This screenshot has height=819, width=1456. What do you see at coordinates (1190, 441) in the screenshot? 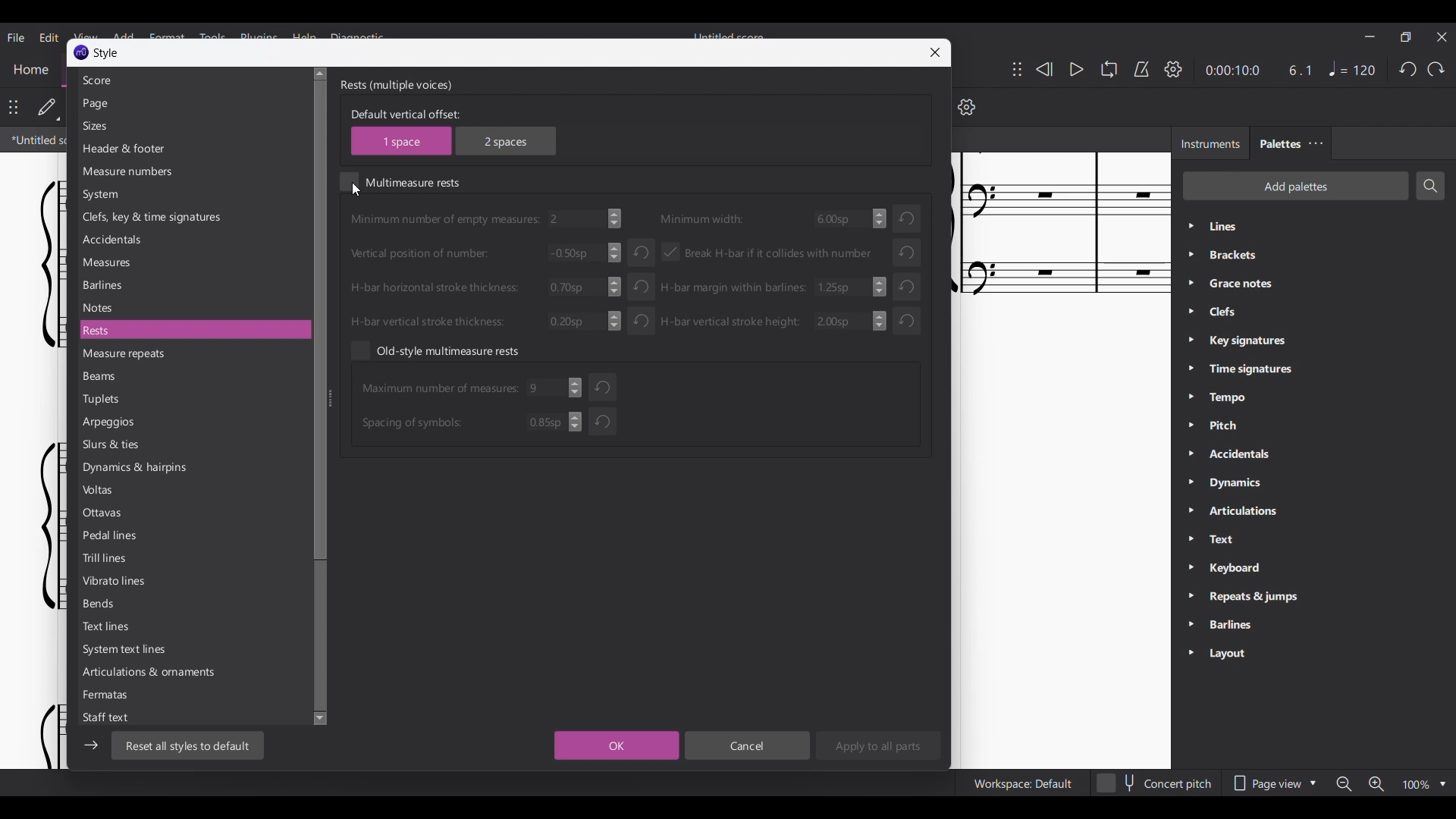
I see `Expand respective palette` at bounding box center [1190, 441].